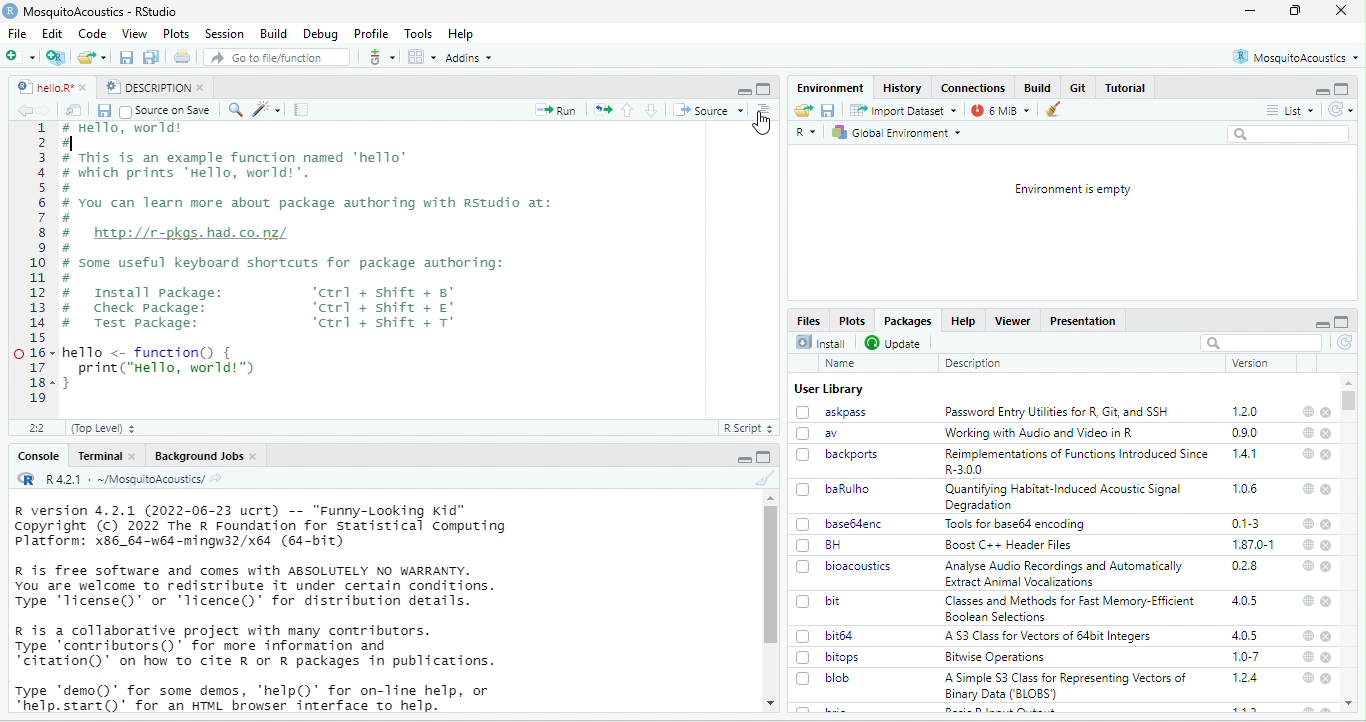  I want to click on Update, so click(894, 342).